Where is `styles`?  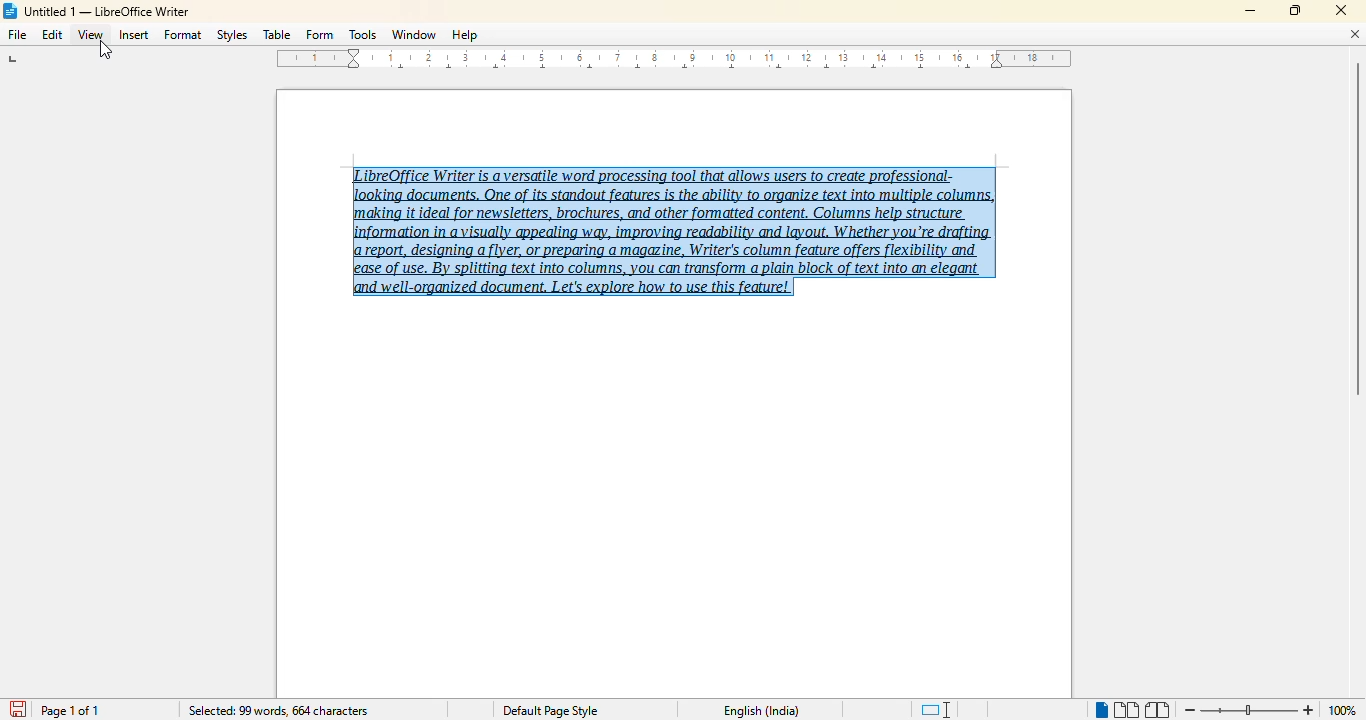
styles is located at coordinates (232, 35).